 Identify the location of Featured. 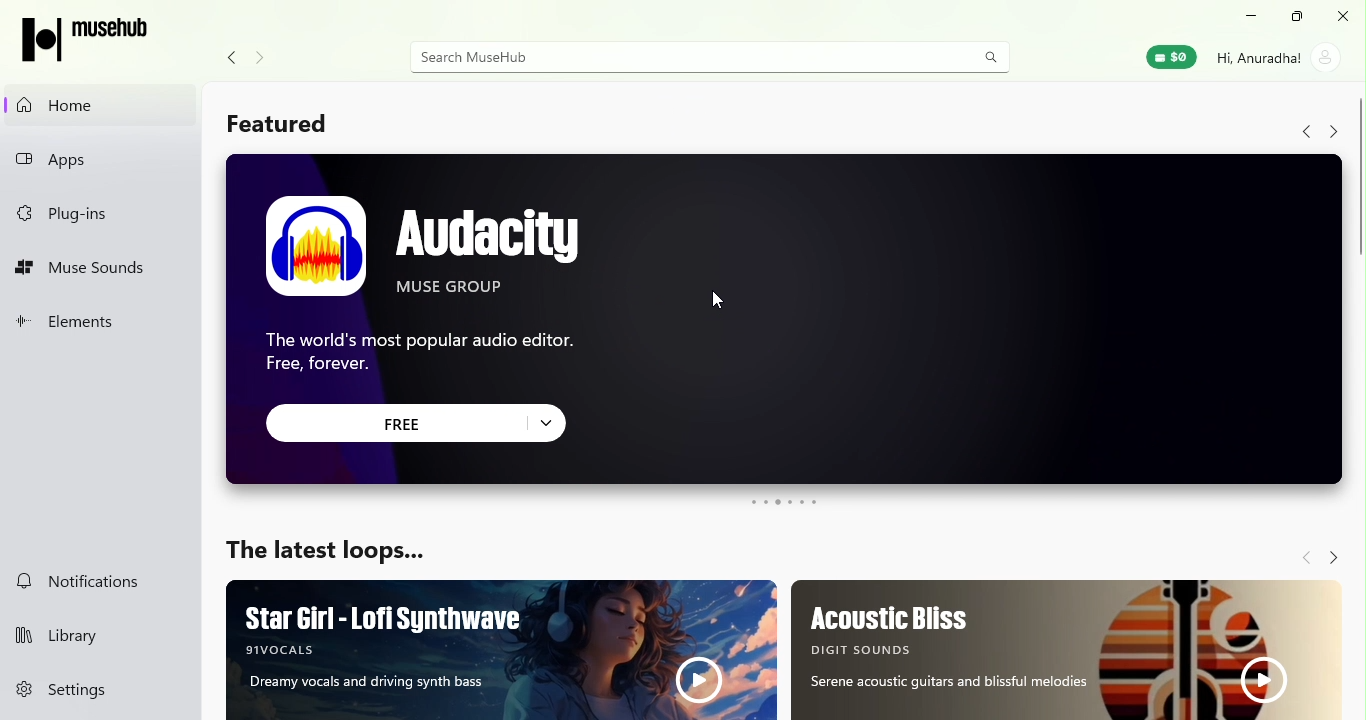
(280, 121).